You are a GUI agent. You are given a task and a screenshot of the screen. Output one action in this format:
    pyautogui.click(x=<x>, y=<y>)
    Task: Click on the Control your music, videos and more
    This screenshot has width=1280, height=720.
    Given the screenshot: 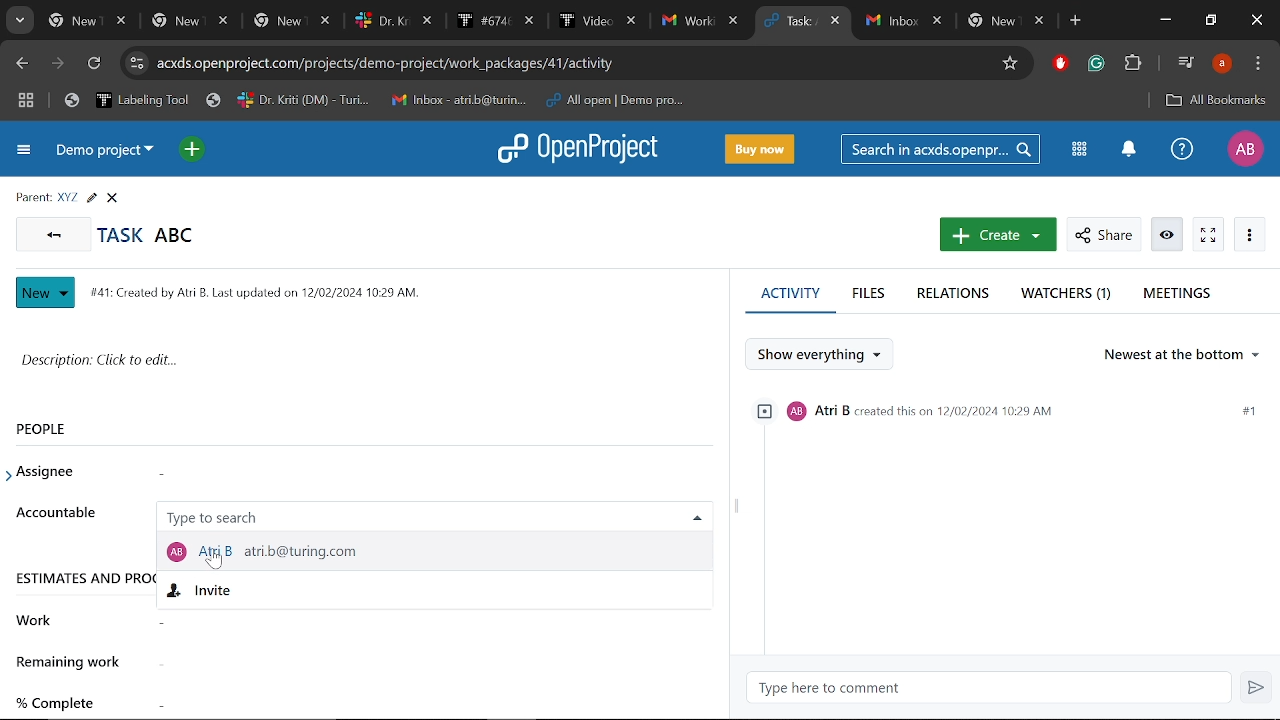 What is the action you would take?
    pyautogui.click(x=1184, y=63)
    